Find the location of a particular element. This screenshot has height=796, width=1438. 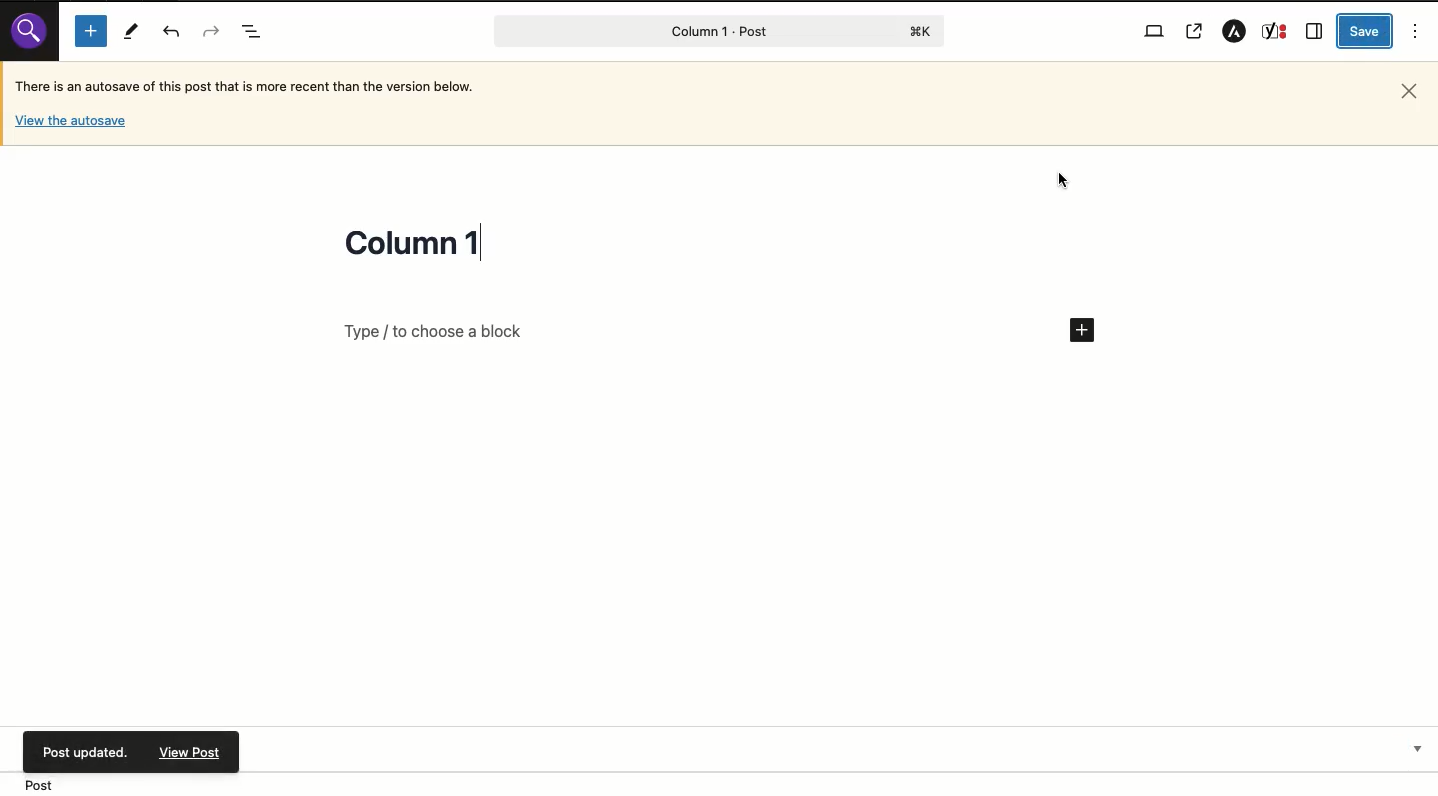

 is located at coordinates (70, 122).